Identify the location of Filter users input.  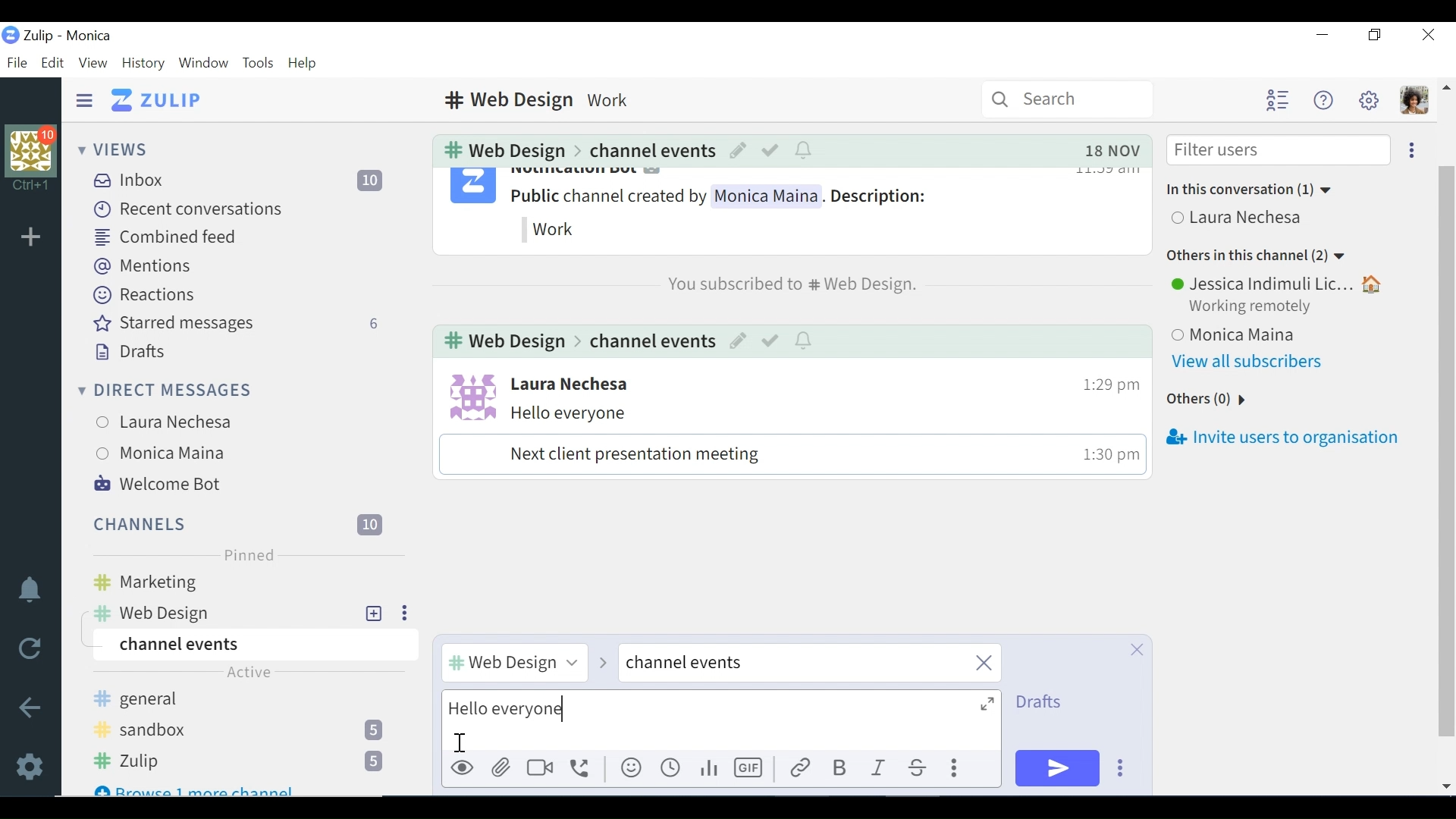
(1277, 151).